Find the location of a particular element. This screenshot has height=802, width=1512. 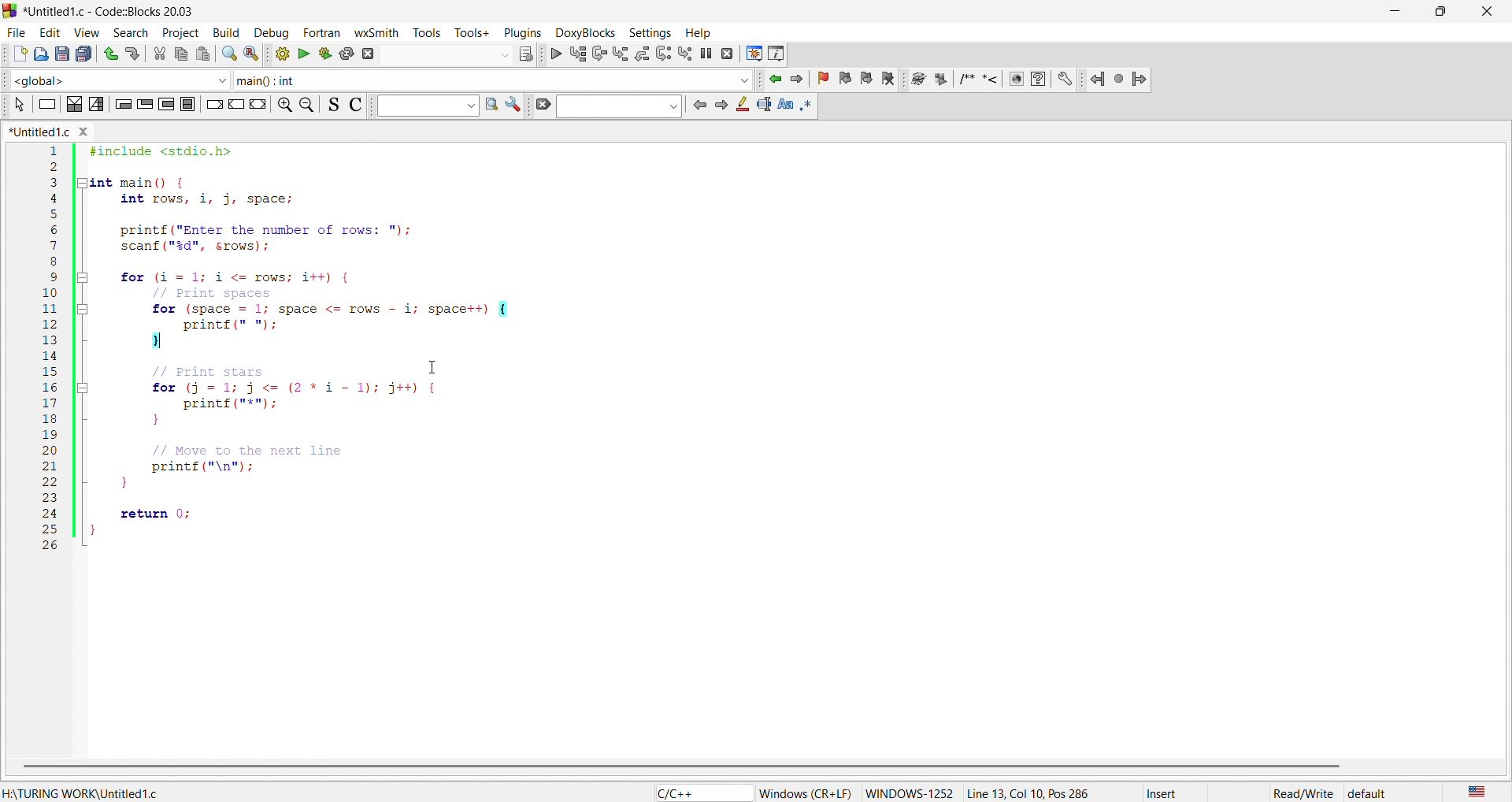

return instruction is located at coordinates (258, 103).